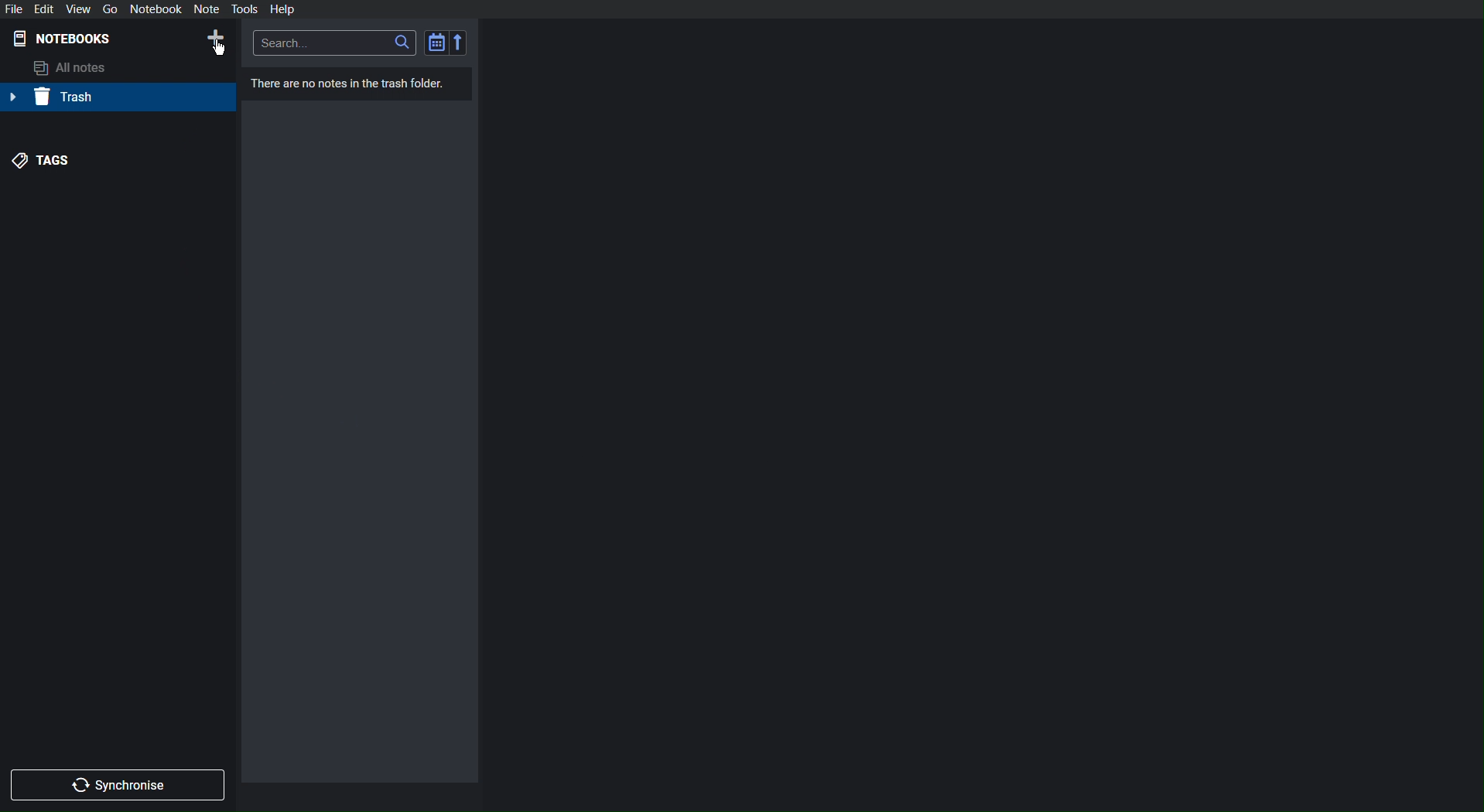  What do you see at coordinates (118, 784) in the screenshot?
I see `Synchronize` at bounding box center [118, 784].